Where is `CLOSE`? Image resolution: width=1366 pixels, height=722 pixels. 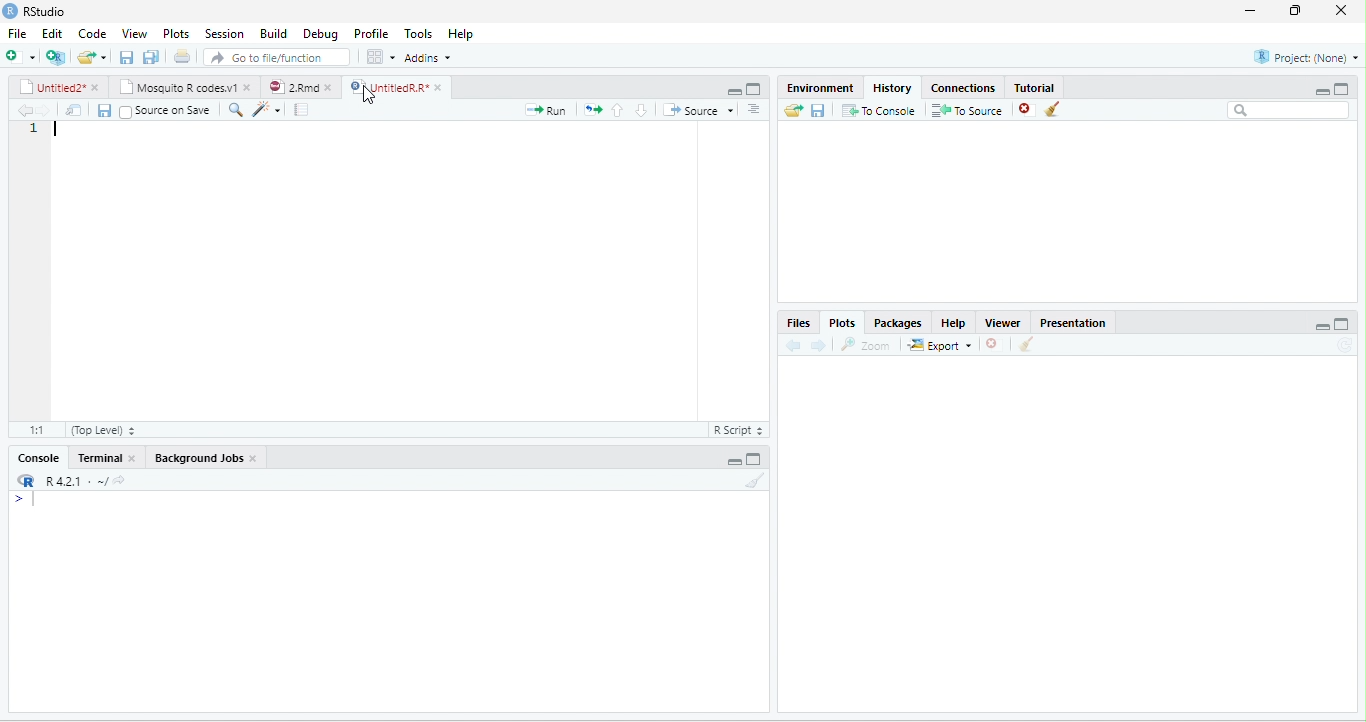
CLOSE is located at coordinates (995, 344).